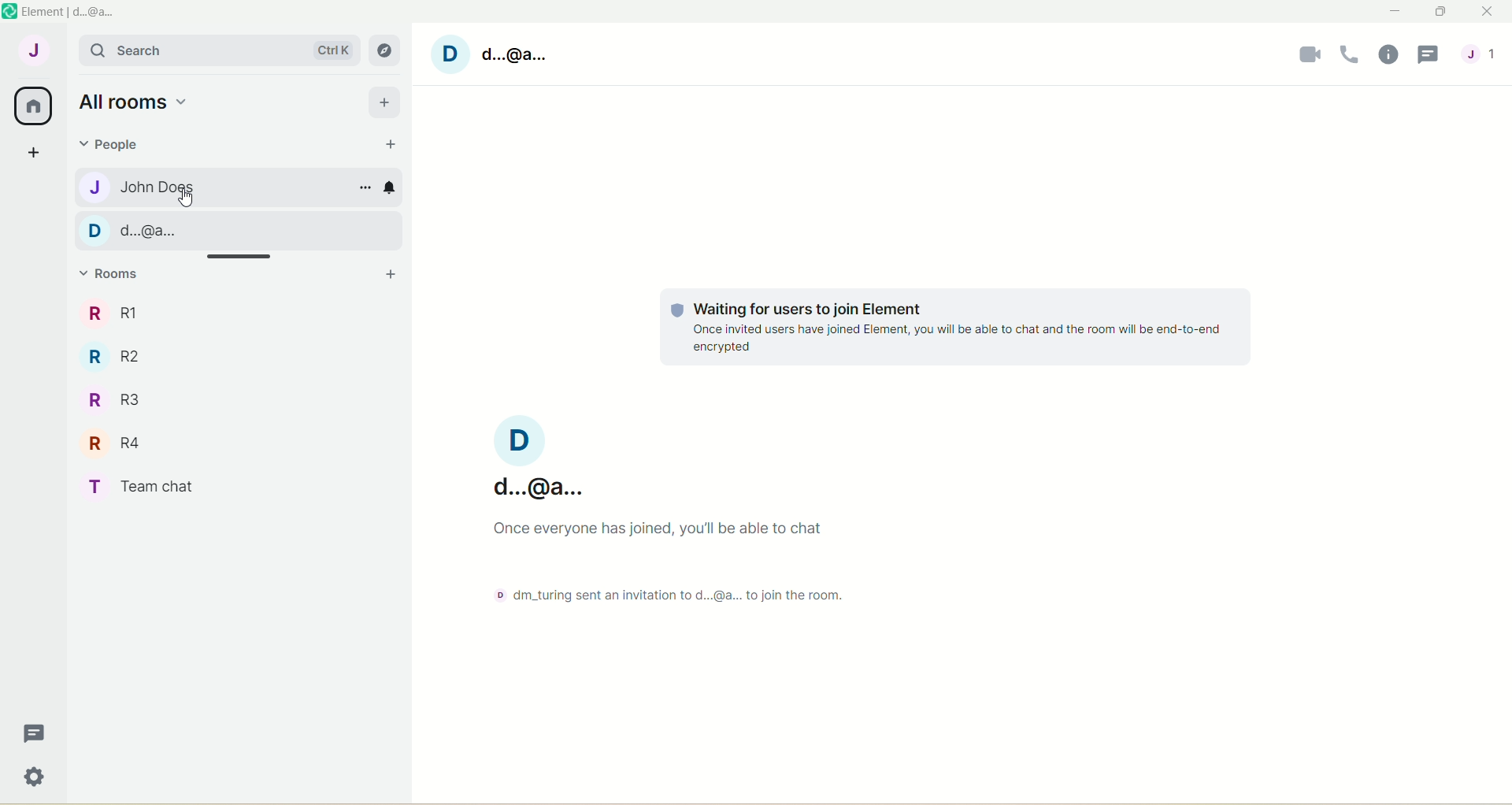  I want to click on start chat, so click(389, 146).